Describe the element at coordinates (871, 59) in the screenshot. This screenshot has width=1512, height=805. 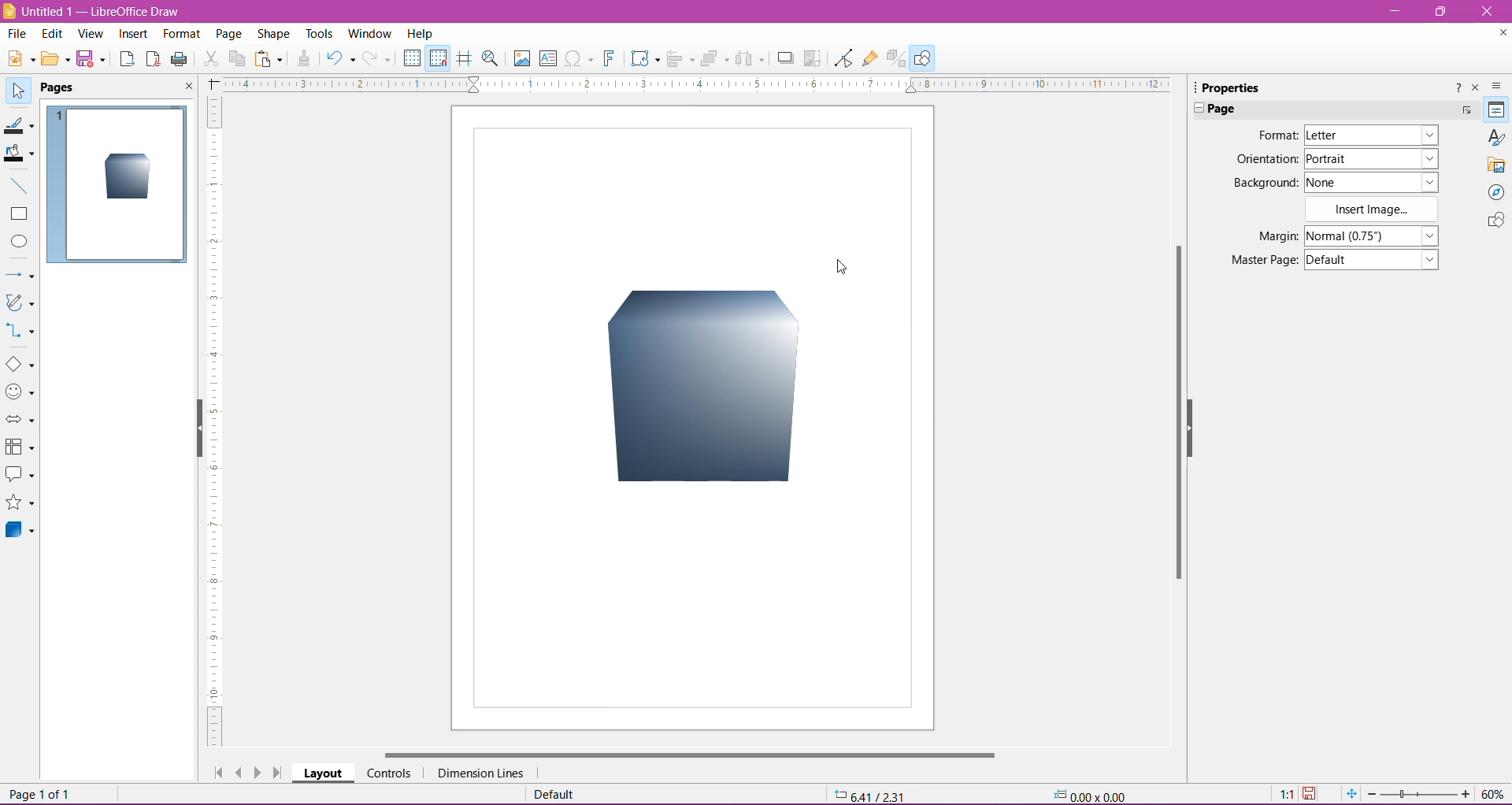
I see `Show Gluepoint Functions` at that location.